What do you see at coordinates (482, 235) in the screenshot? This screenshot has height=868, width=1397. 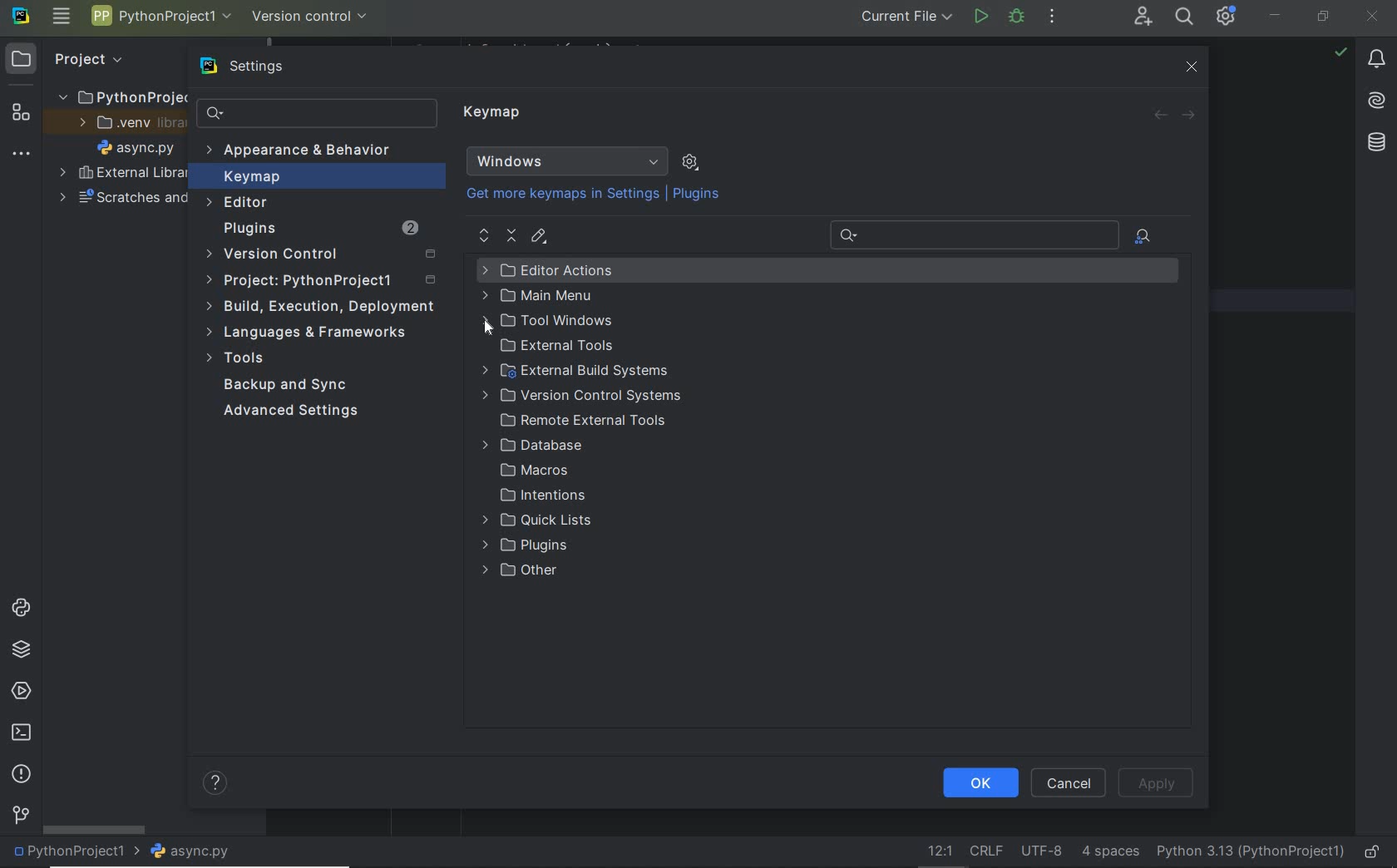 I see `expand all` at bounding box center [482, 235].